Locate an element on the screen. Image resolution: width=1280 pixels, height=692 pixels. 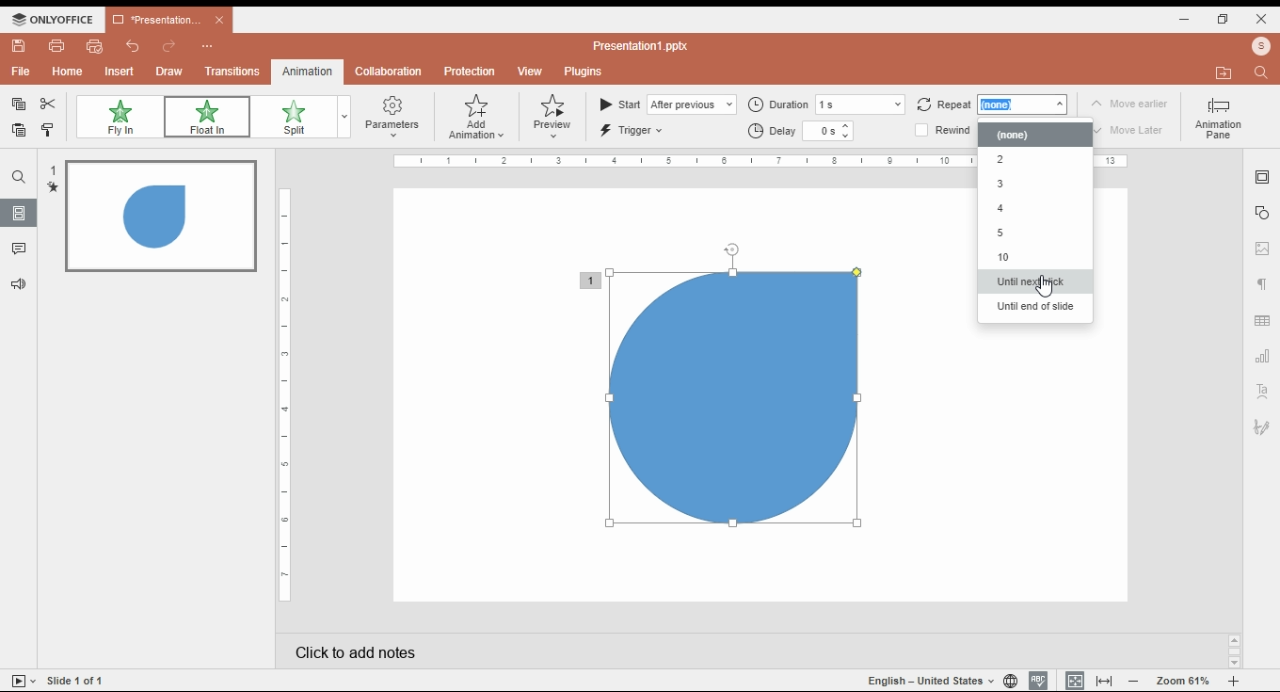
presentation1.pptx is located at coordinates (645, 46).